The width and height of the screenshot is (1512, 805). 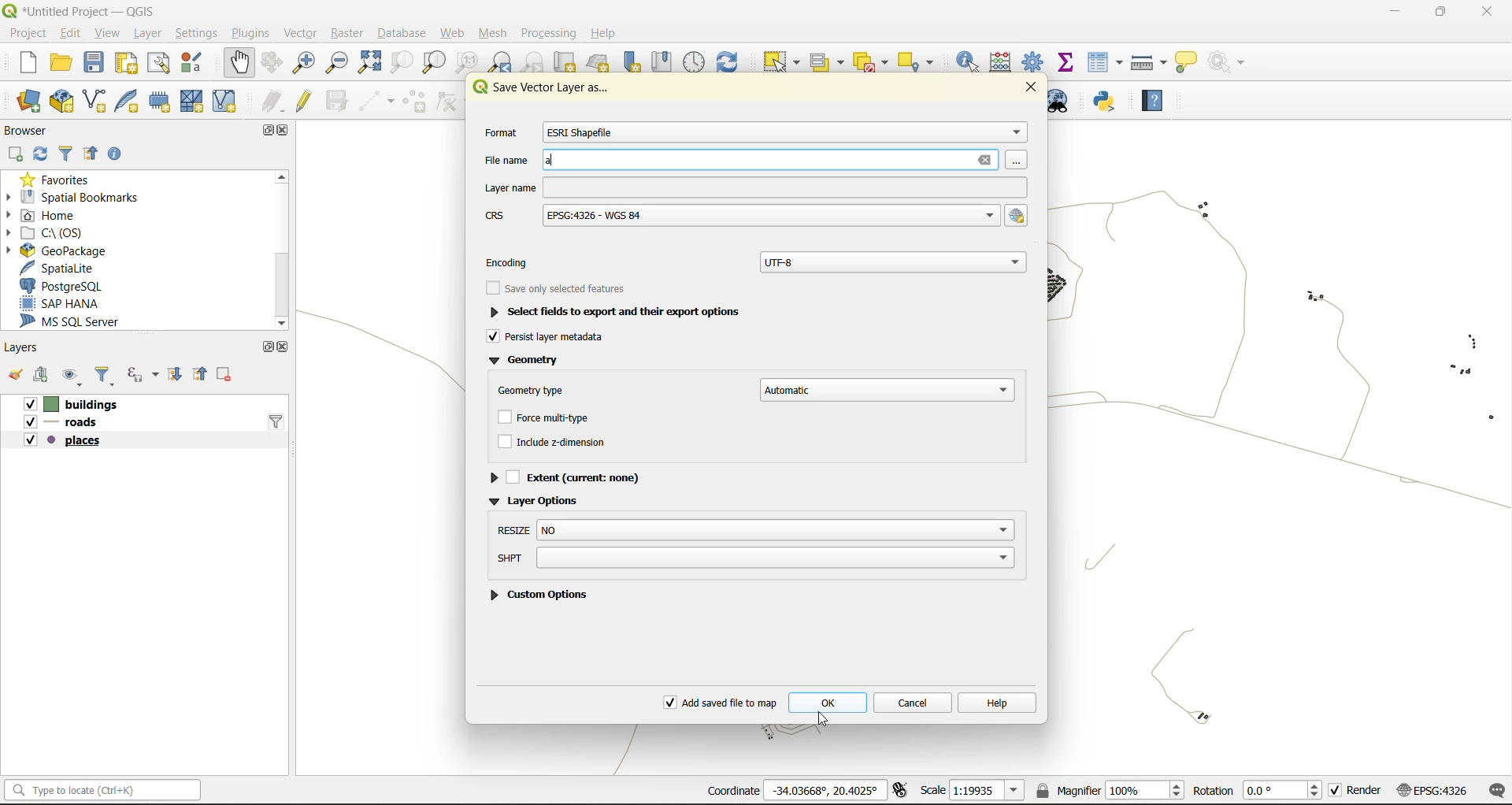 I want to click on c\:os, so click(x=62, y=232).